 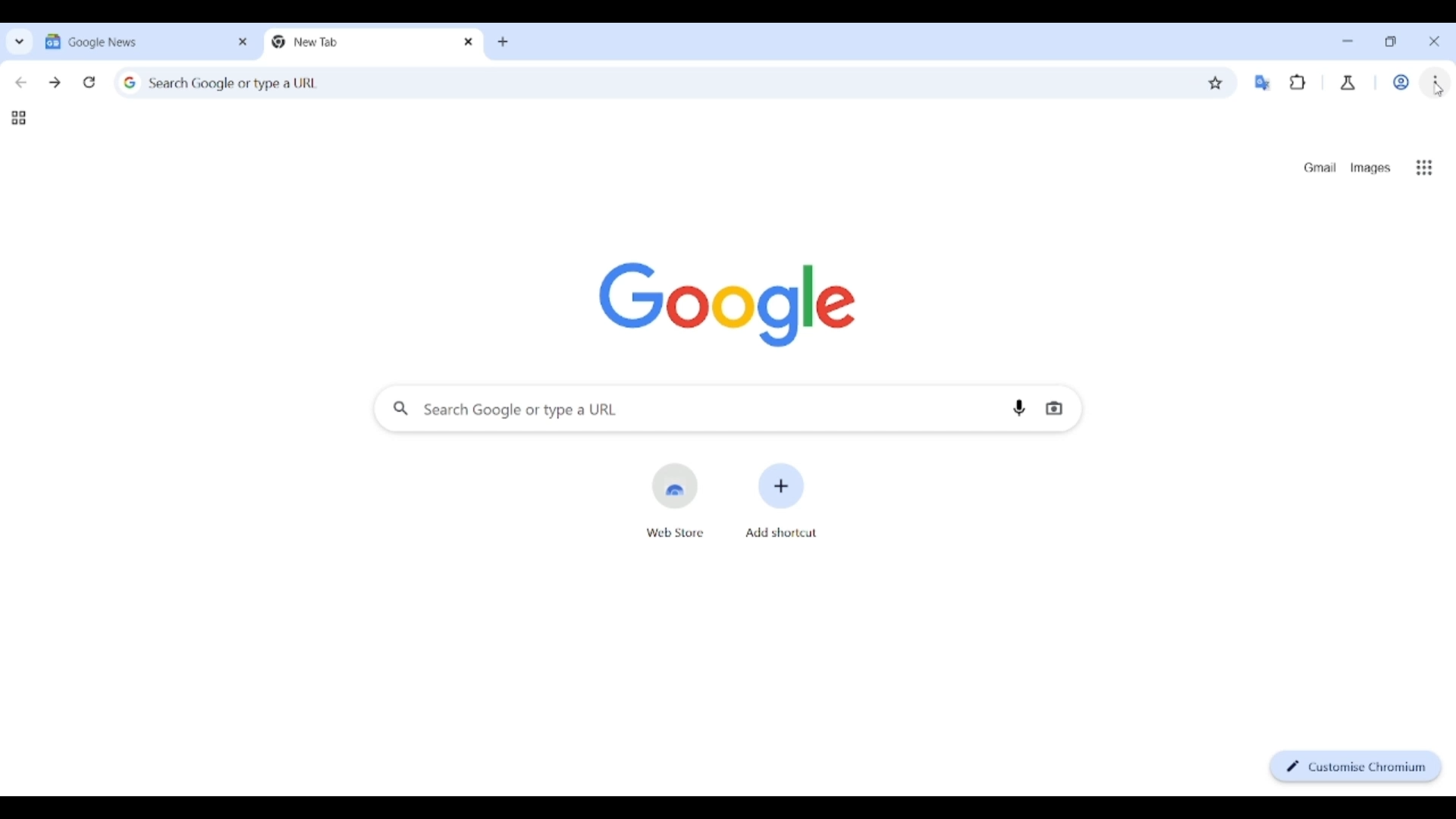 I want to click on Search Google or enter web link, so click(x=648, y=80).